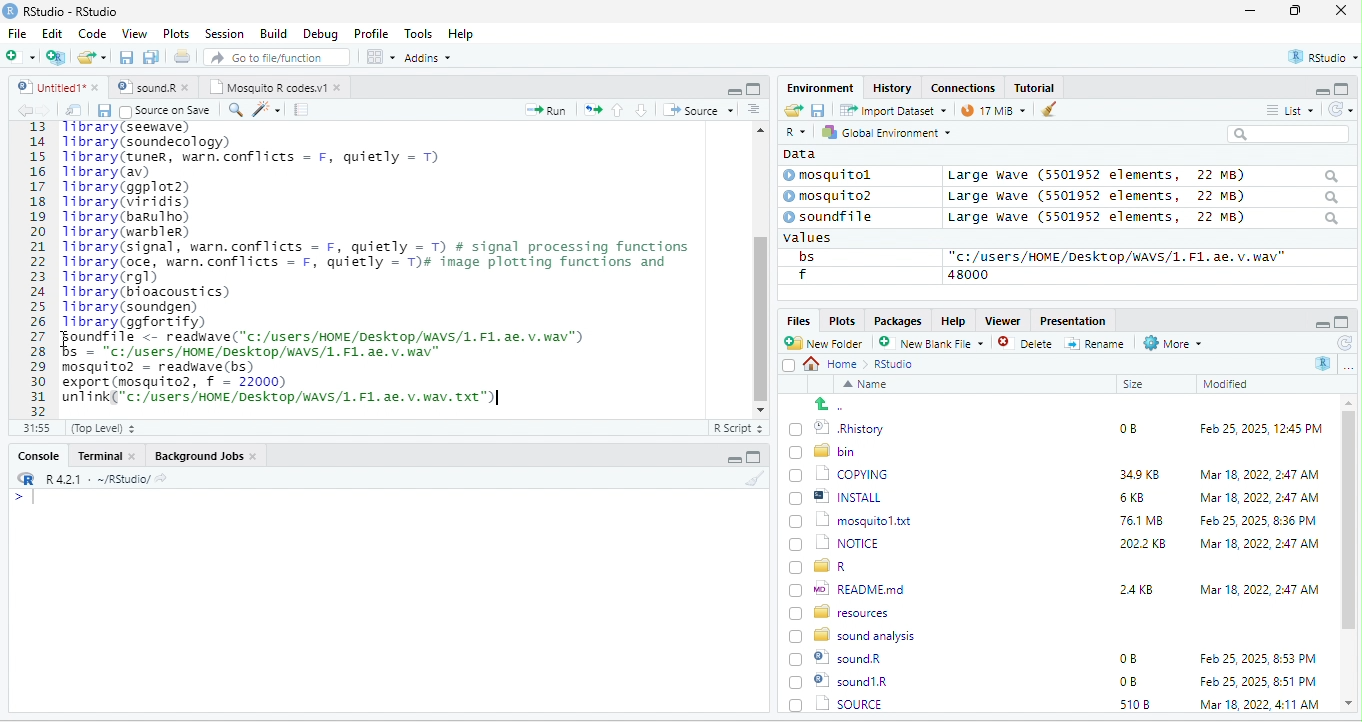  I want to click on Adonns , so click(428, 61).